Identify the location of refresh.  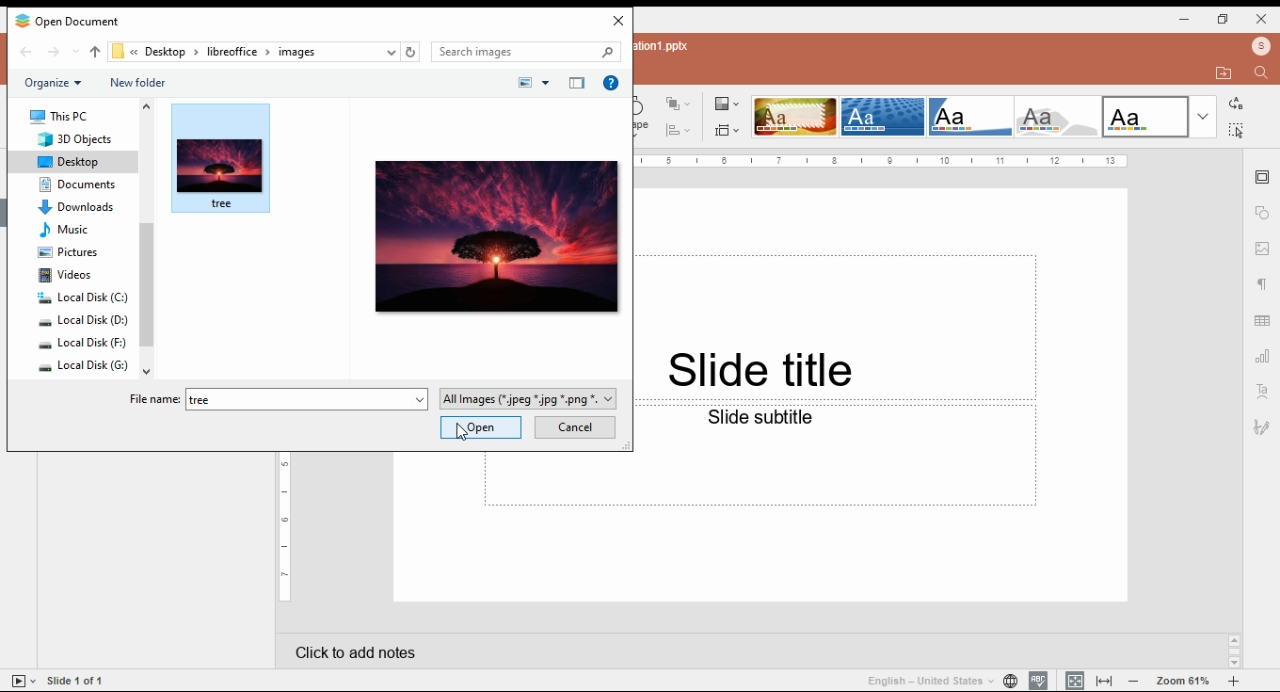
(411, 52).